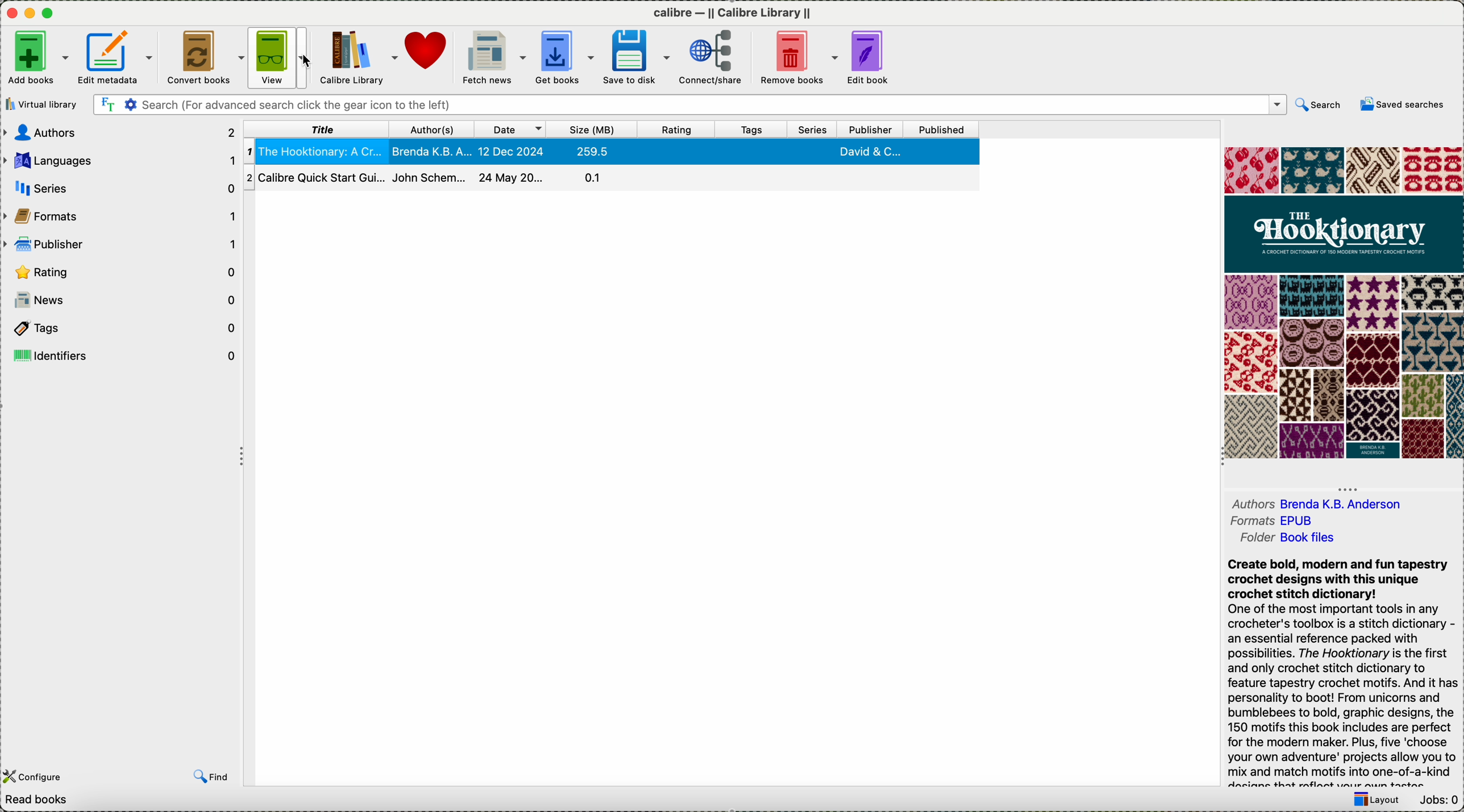 This screenshot has height=812, width=1464. I want to click on second book, so click(613, 178).